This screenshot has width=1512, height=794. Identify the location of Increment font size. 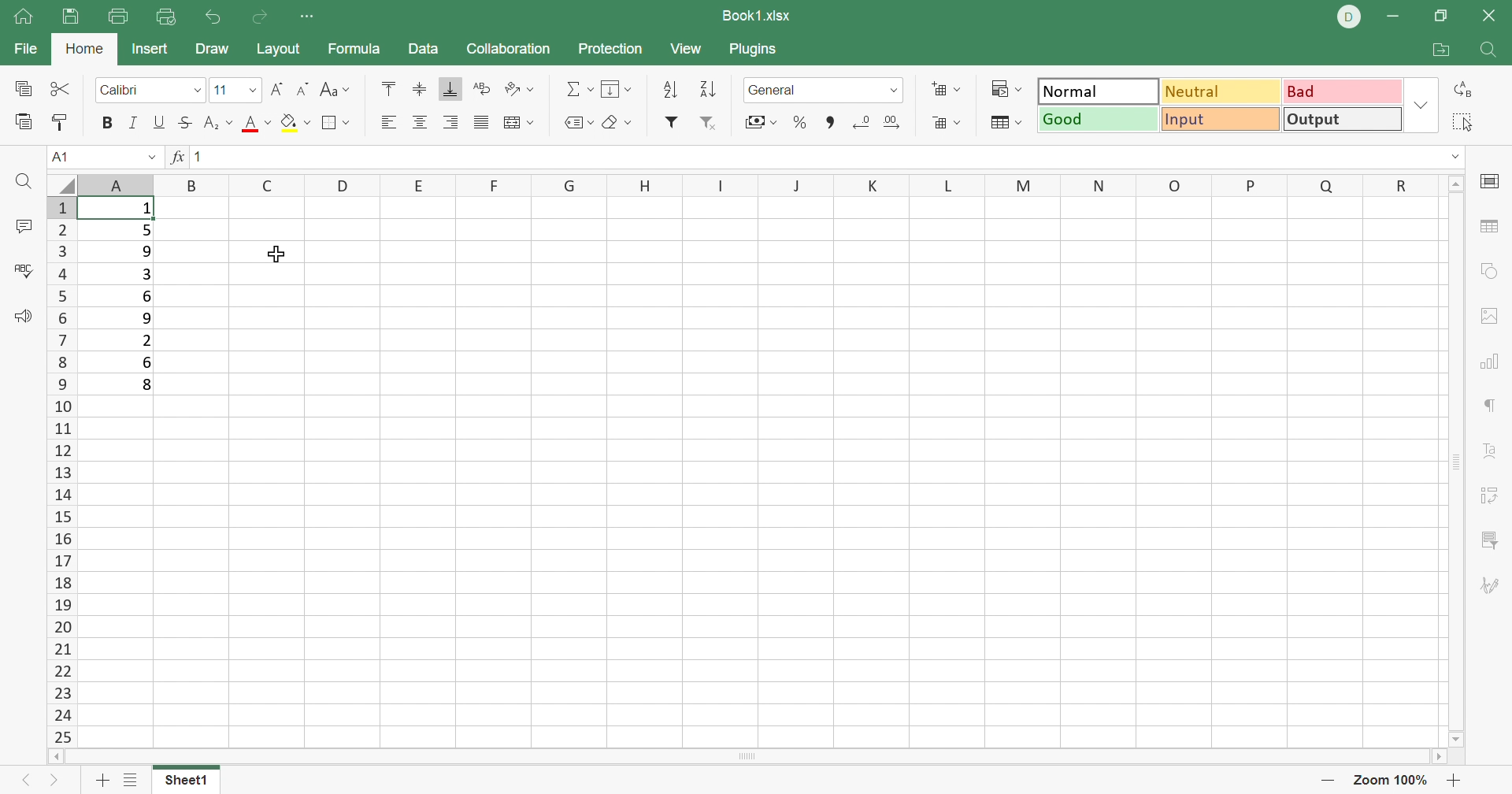
(276, 91).